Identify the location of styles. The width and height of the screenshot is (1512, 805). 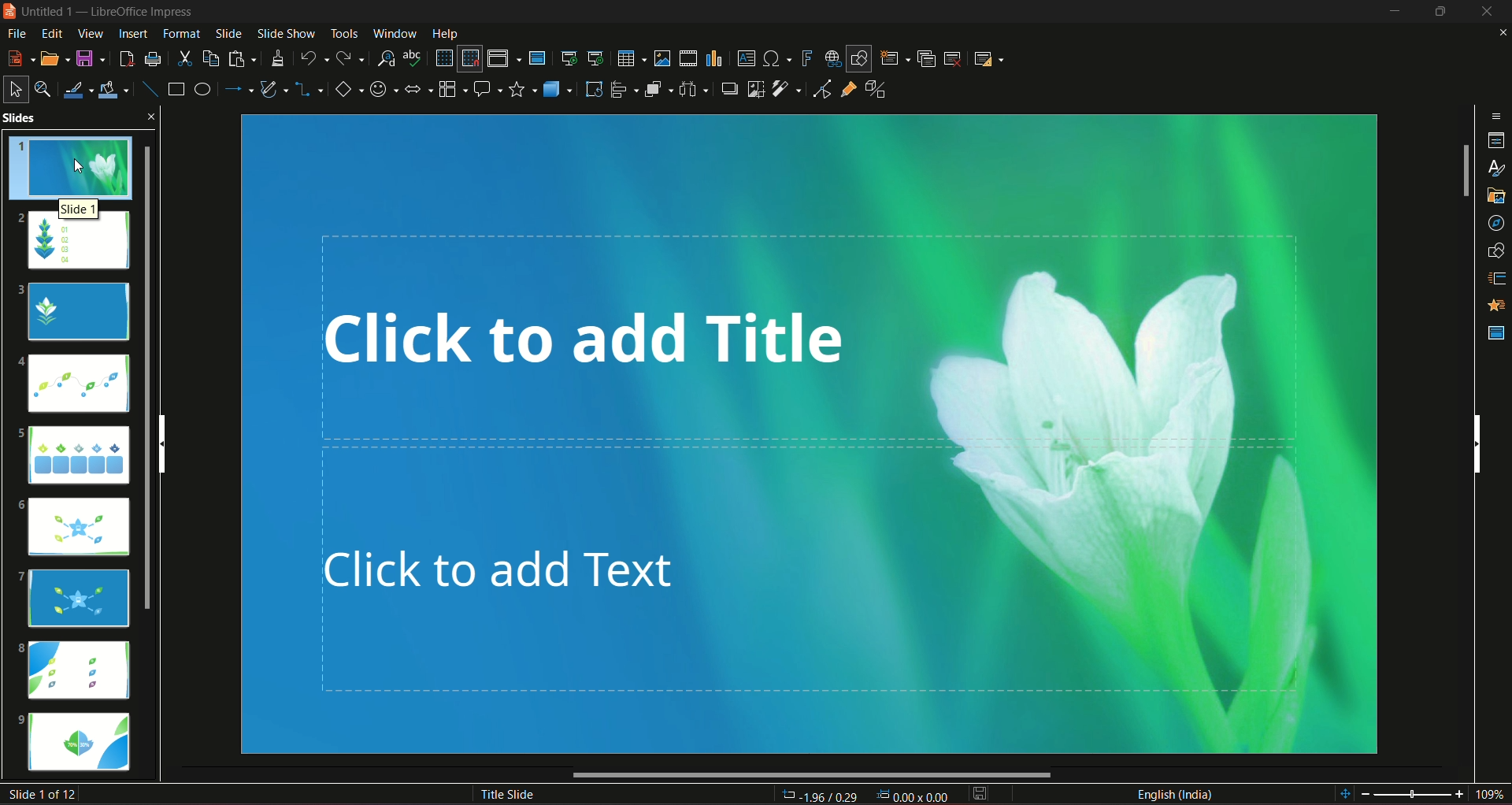
(1493, 168).